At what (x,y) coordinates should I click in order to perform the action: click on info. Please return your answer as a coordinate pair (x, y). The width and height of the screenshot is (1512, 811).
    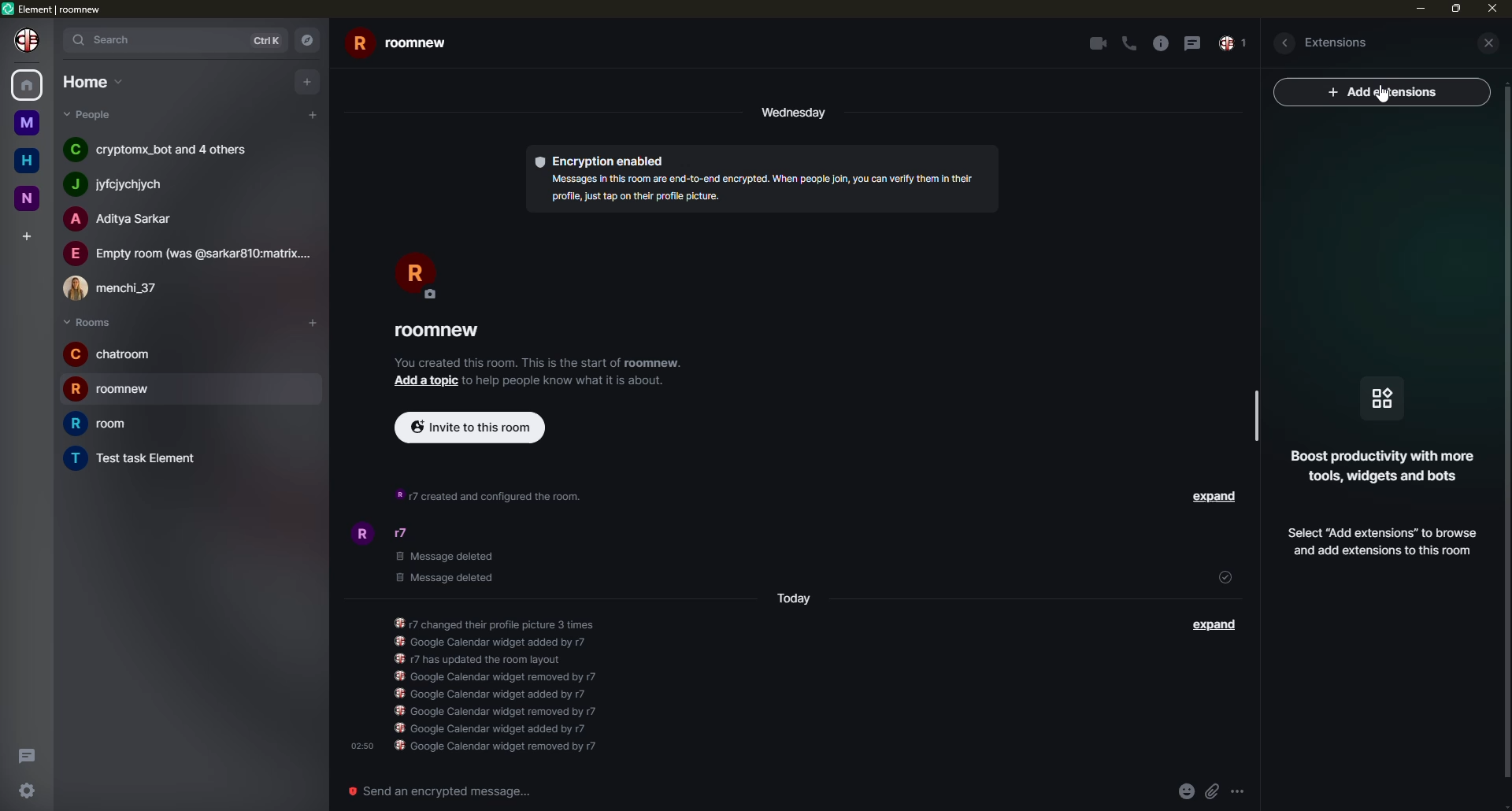
    Looking at the image, I should click on (752, 192).